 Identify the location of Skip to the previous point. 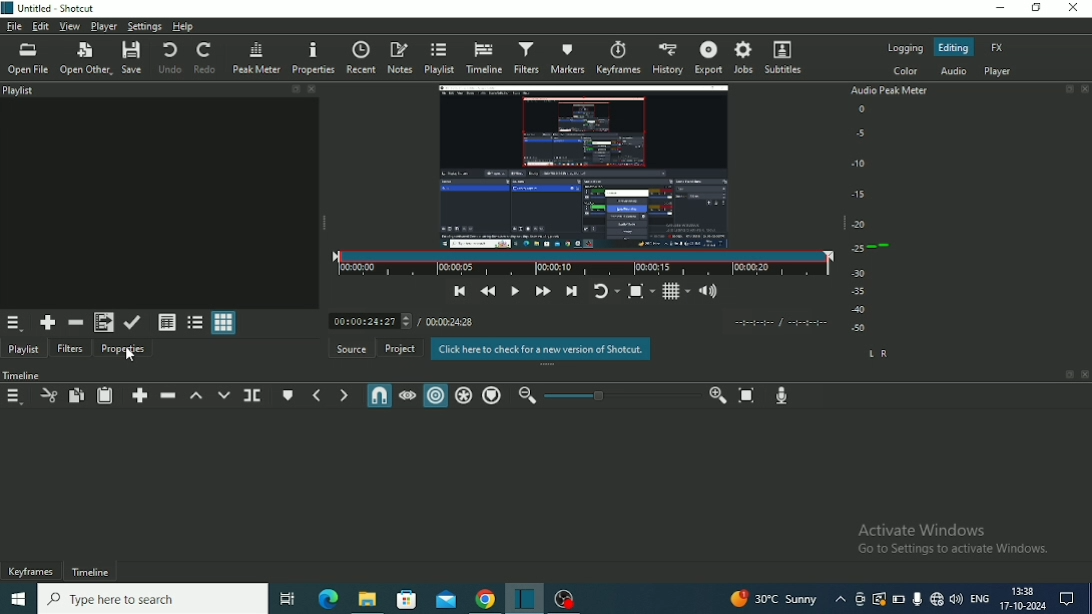
(461, 292).